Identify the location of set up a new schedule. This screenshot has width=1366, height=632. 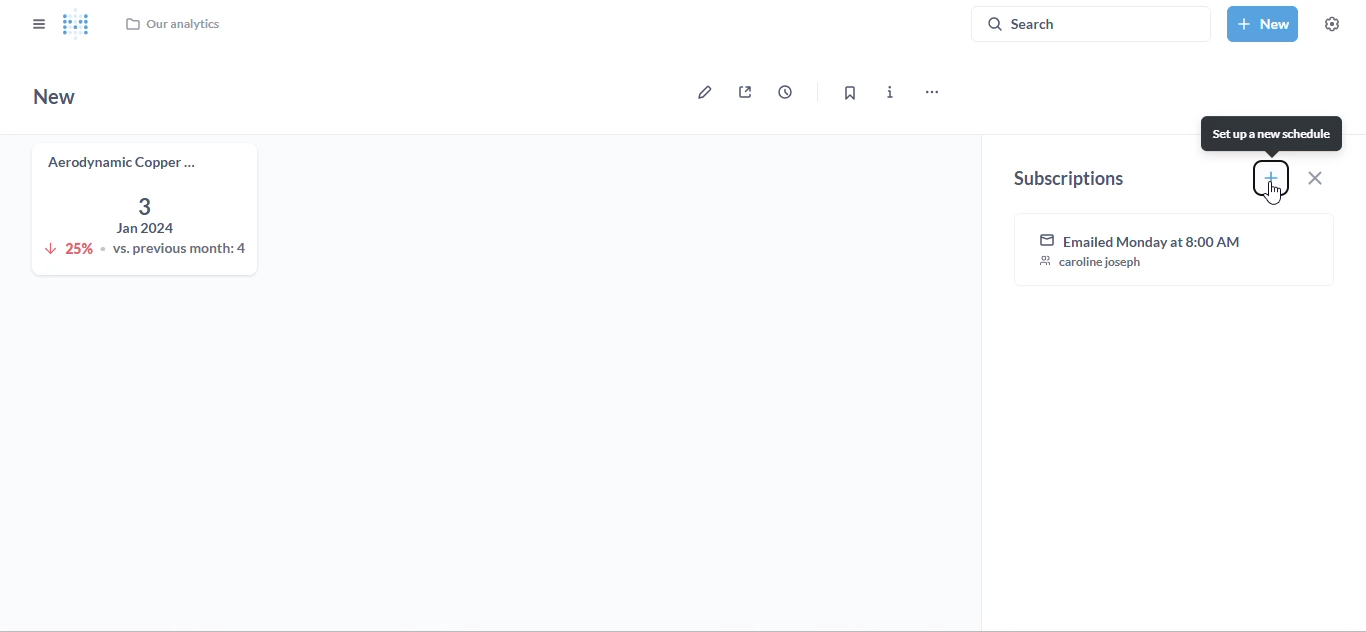
(1272, 134).